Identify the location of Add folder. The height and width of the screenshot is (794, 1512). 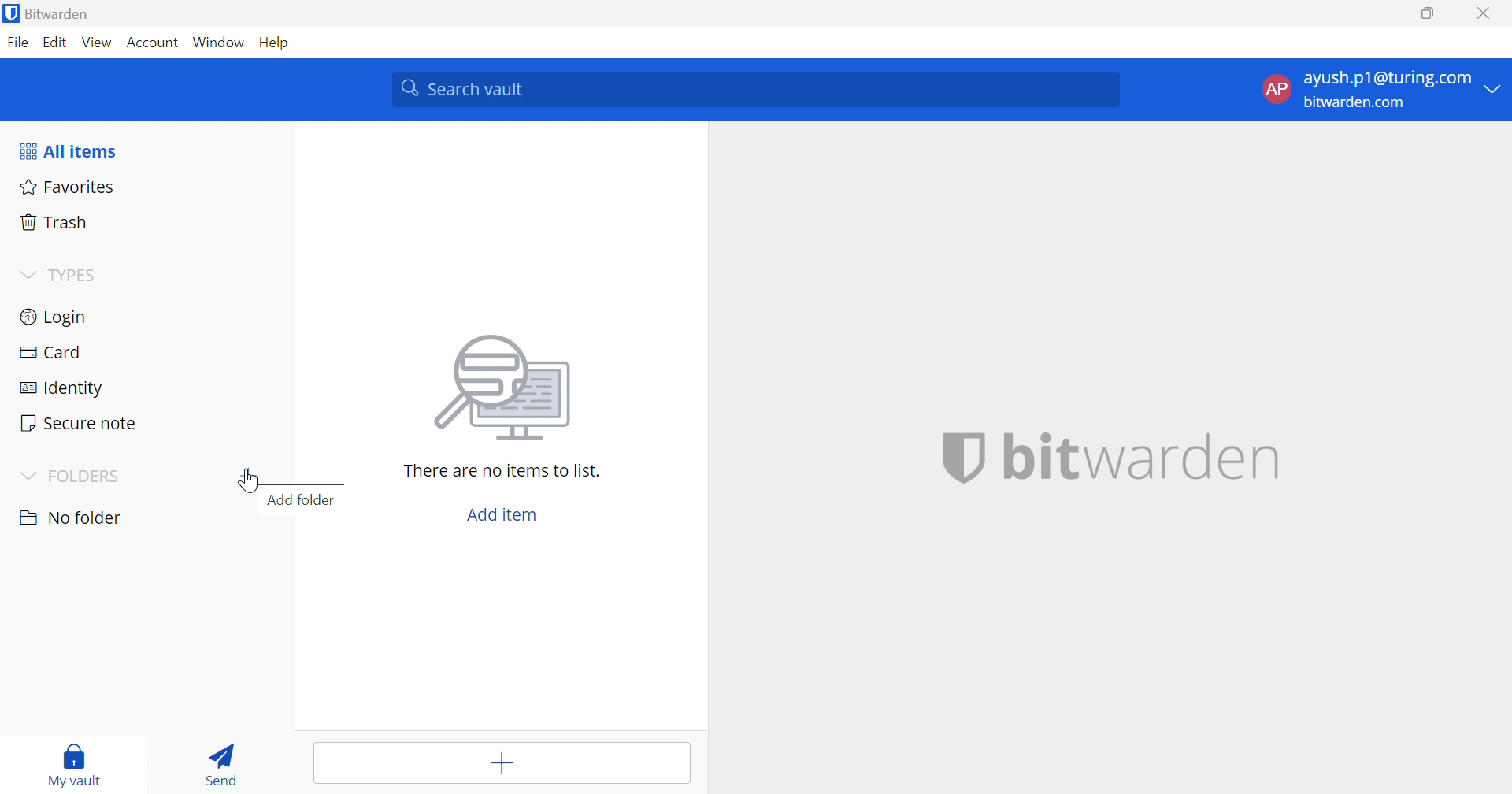
(301, 501).